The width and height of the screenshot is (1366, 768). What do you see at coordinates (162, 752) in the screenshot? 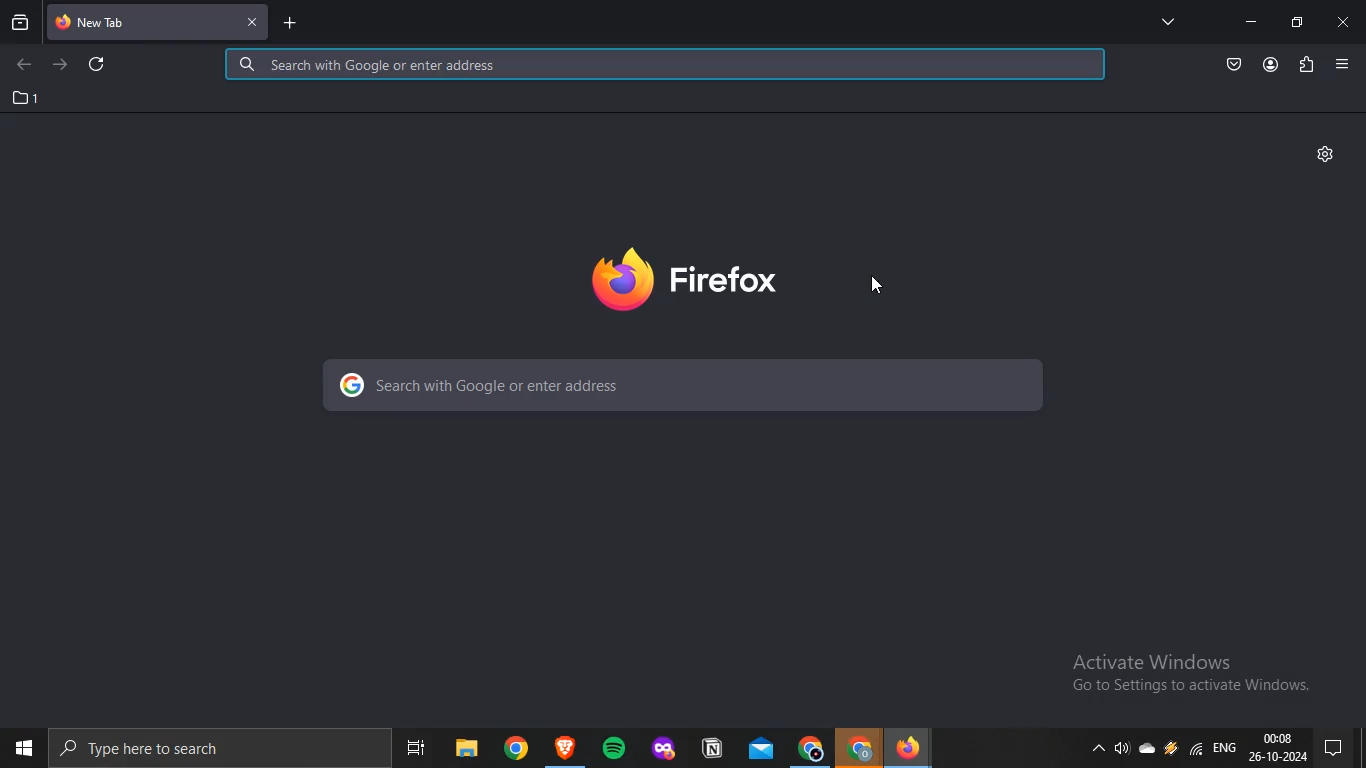
I see `Type here to search` at bounding box center [162, 752].